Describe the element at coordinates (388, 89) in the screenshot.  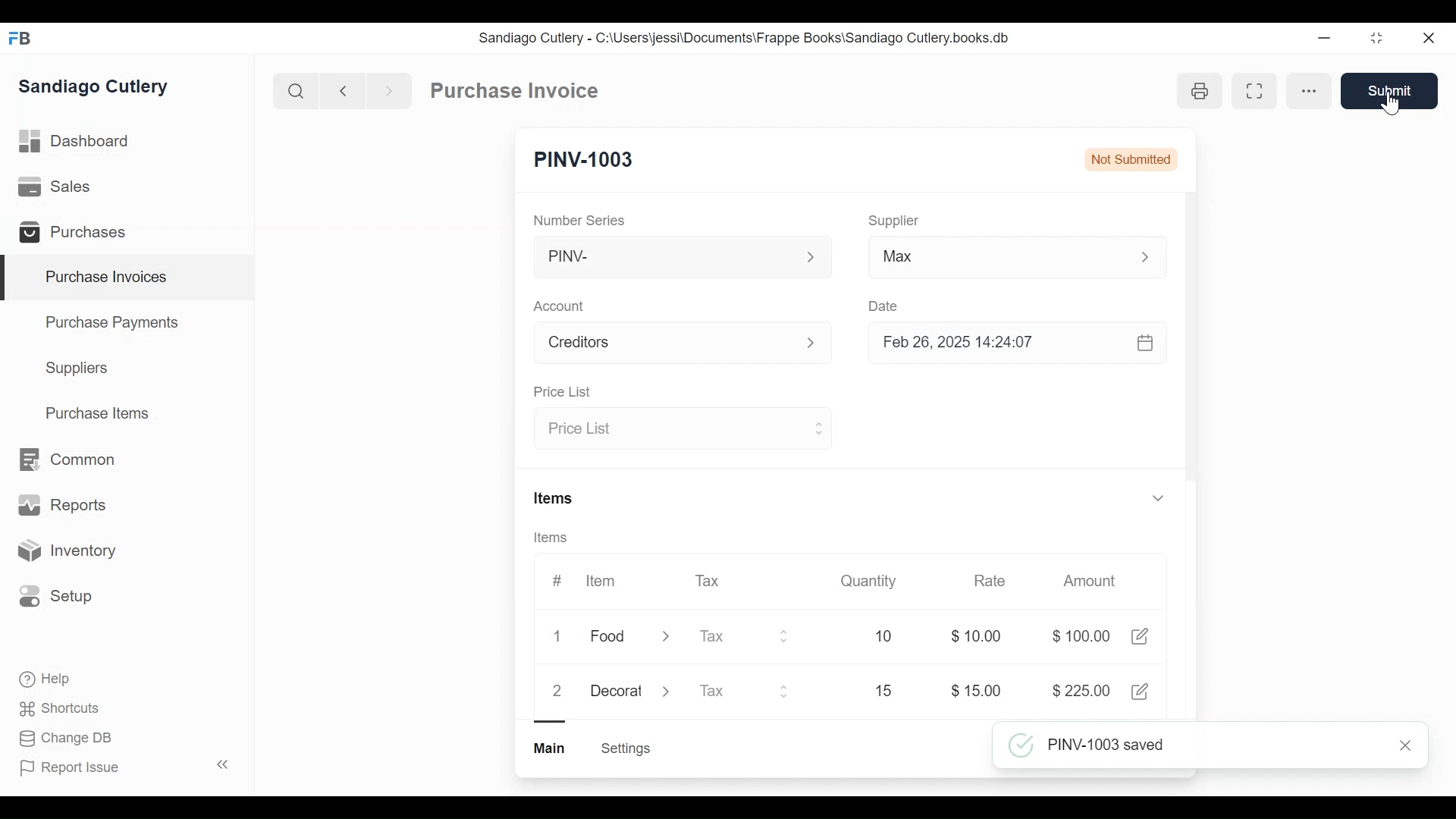
I see `Navigate forward` at that location.